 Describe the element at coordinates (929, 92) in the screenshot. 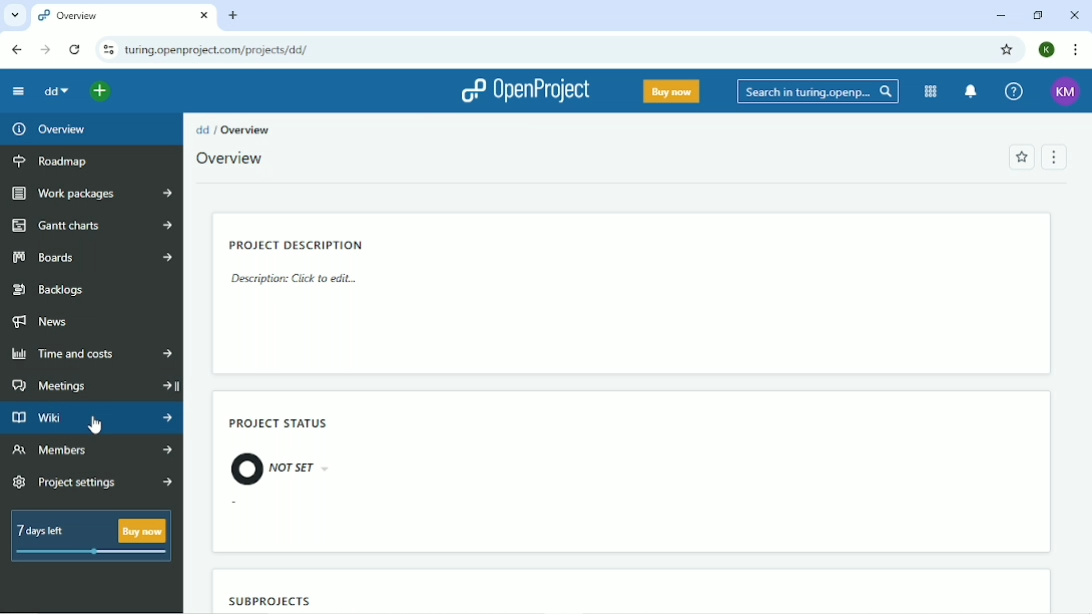

I see `Modules` at that location.